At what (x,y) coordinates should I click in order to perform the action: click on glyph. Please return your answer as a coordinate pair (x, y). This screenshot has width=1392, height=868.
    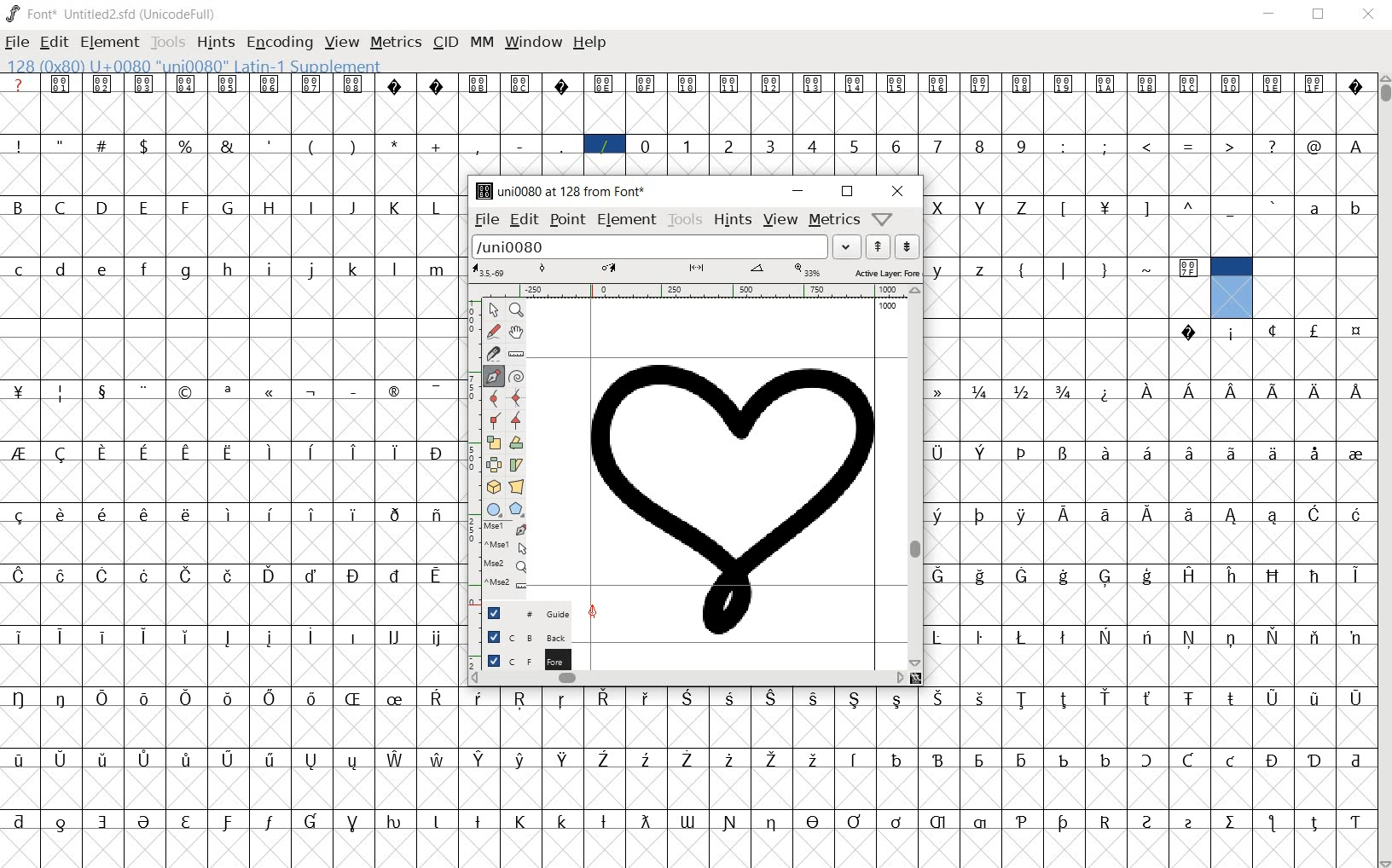
    Looking at the image, I should click on (1316, 454).